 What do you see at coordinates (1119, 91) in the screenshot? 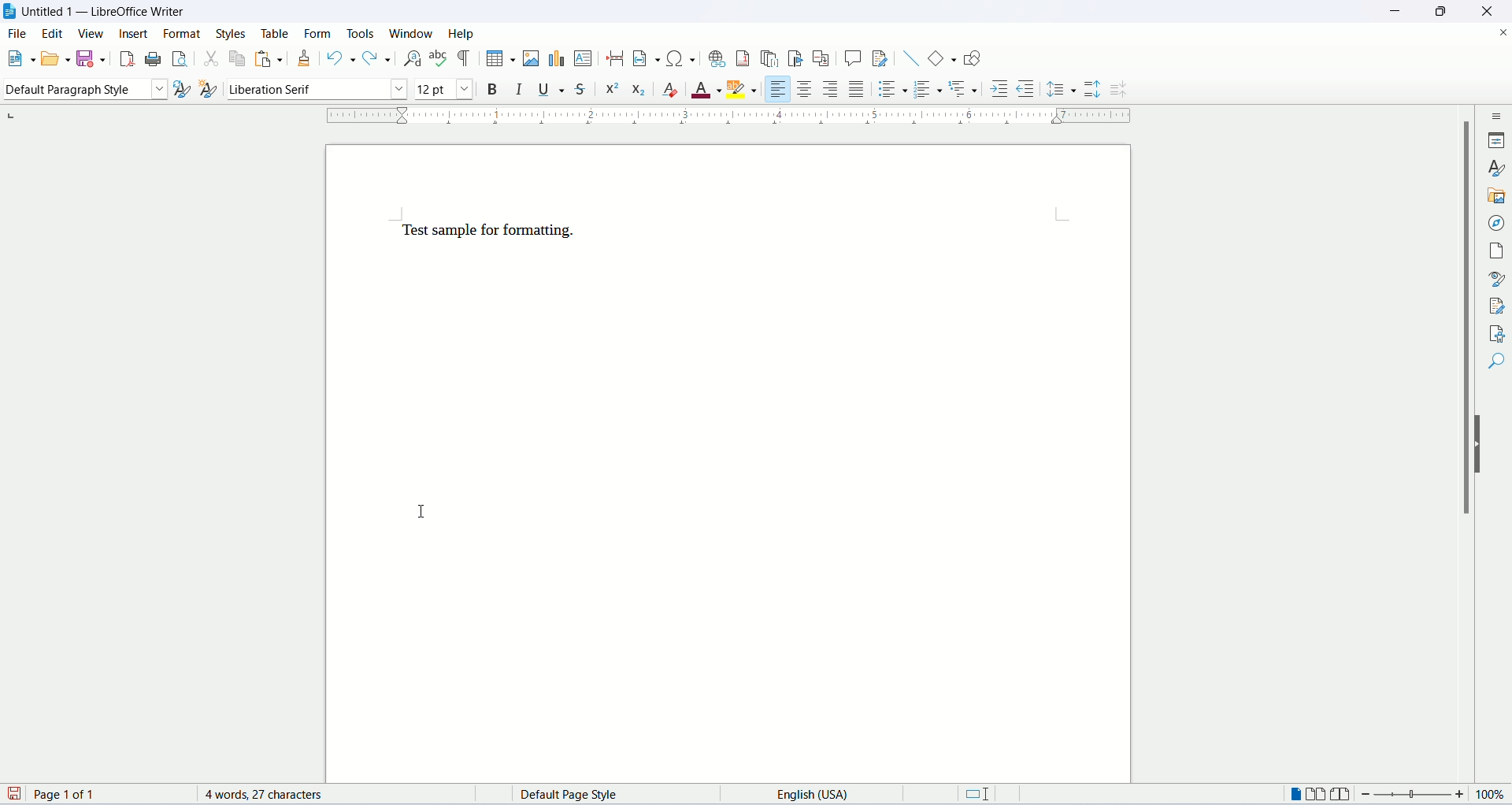
I see `decrease paragraph spacing` at bounding box center [1119, 91].